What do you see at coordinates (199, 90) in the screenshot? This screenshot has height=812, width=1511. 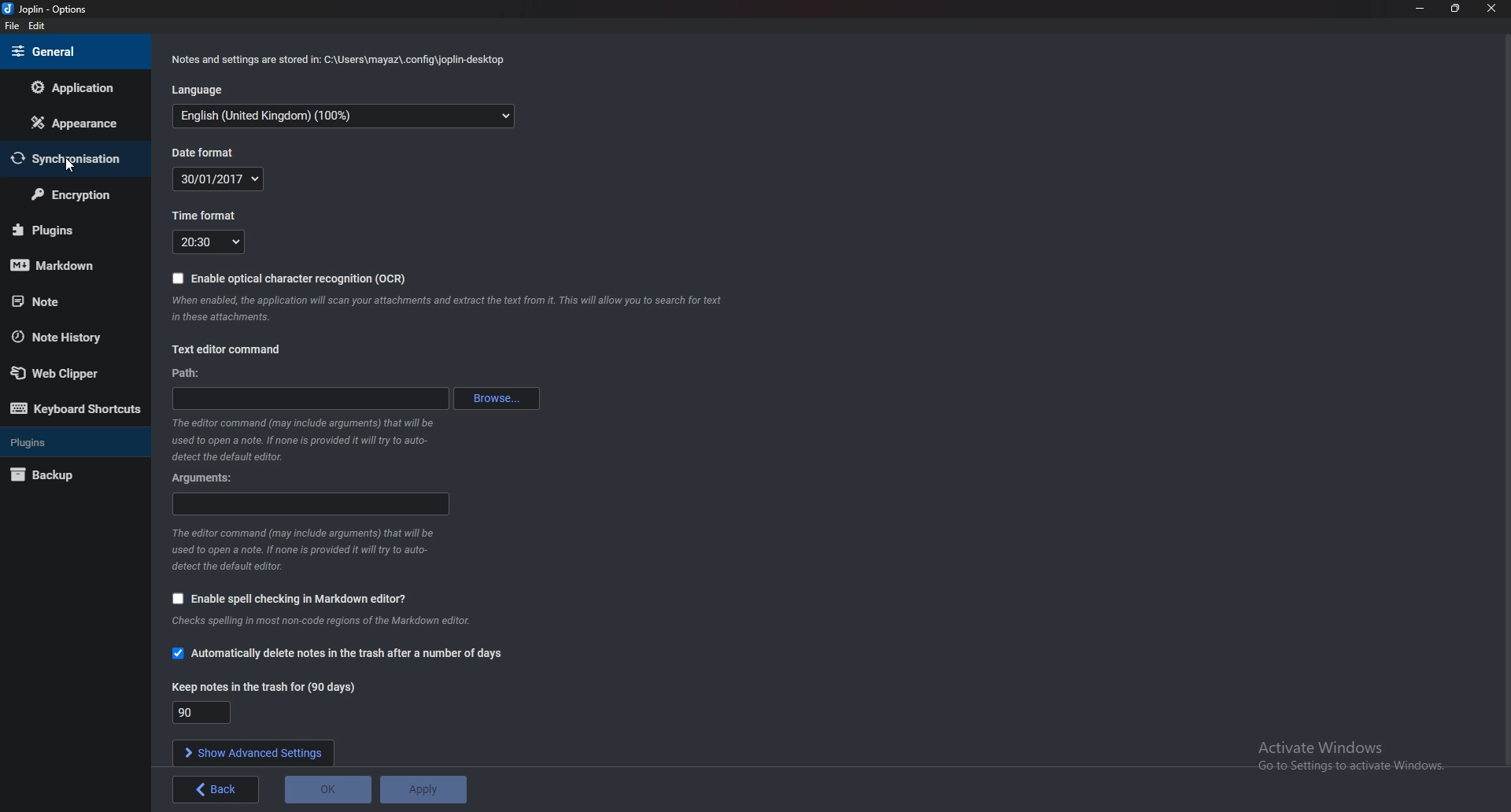 I see `Language` at bounding box center [199, 90].